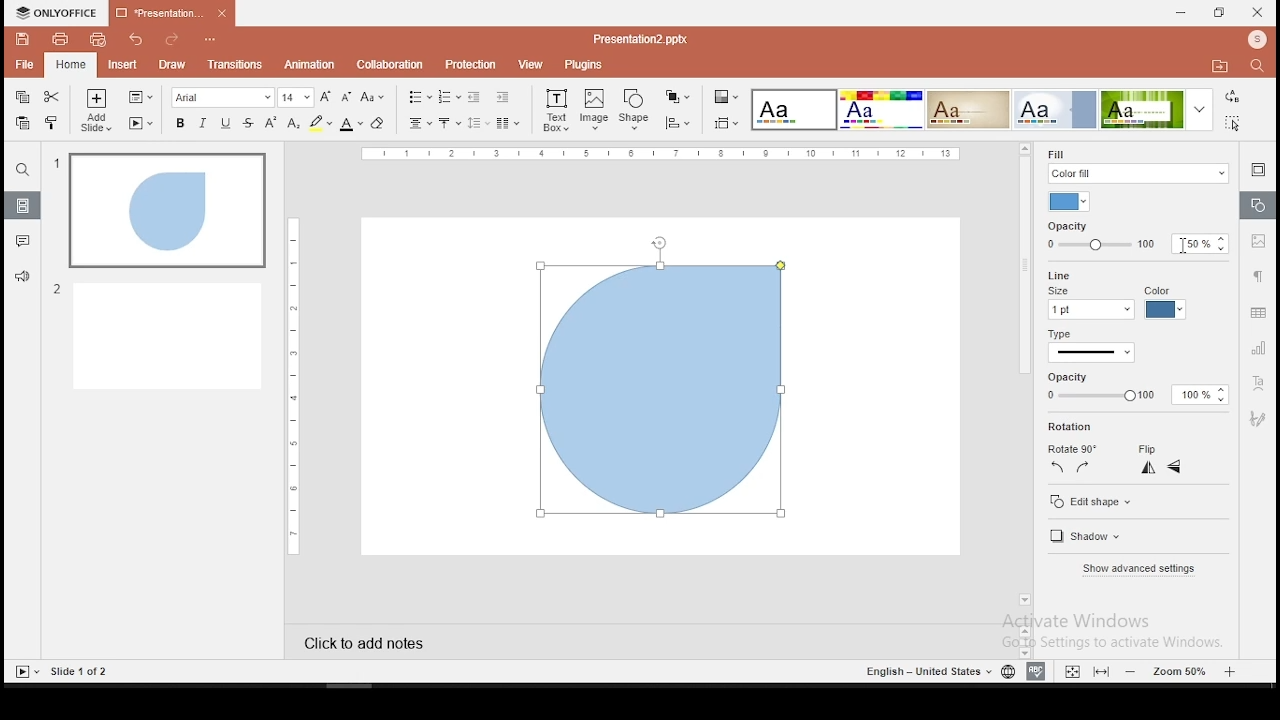 The height and width of the screenshot is (720, 1280). What do you see at coordinates (24, 64) in the screenshot?
I see `file` at bounding box center [24, 64].